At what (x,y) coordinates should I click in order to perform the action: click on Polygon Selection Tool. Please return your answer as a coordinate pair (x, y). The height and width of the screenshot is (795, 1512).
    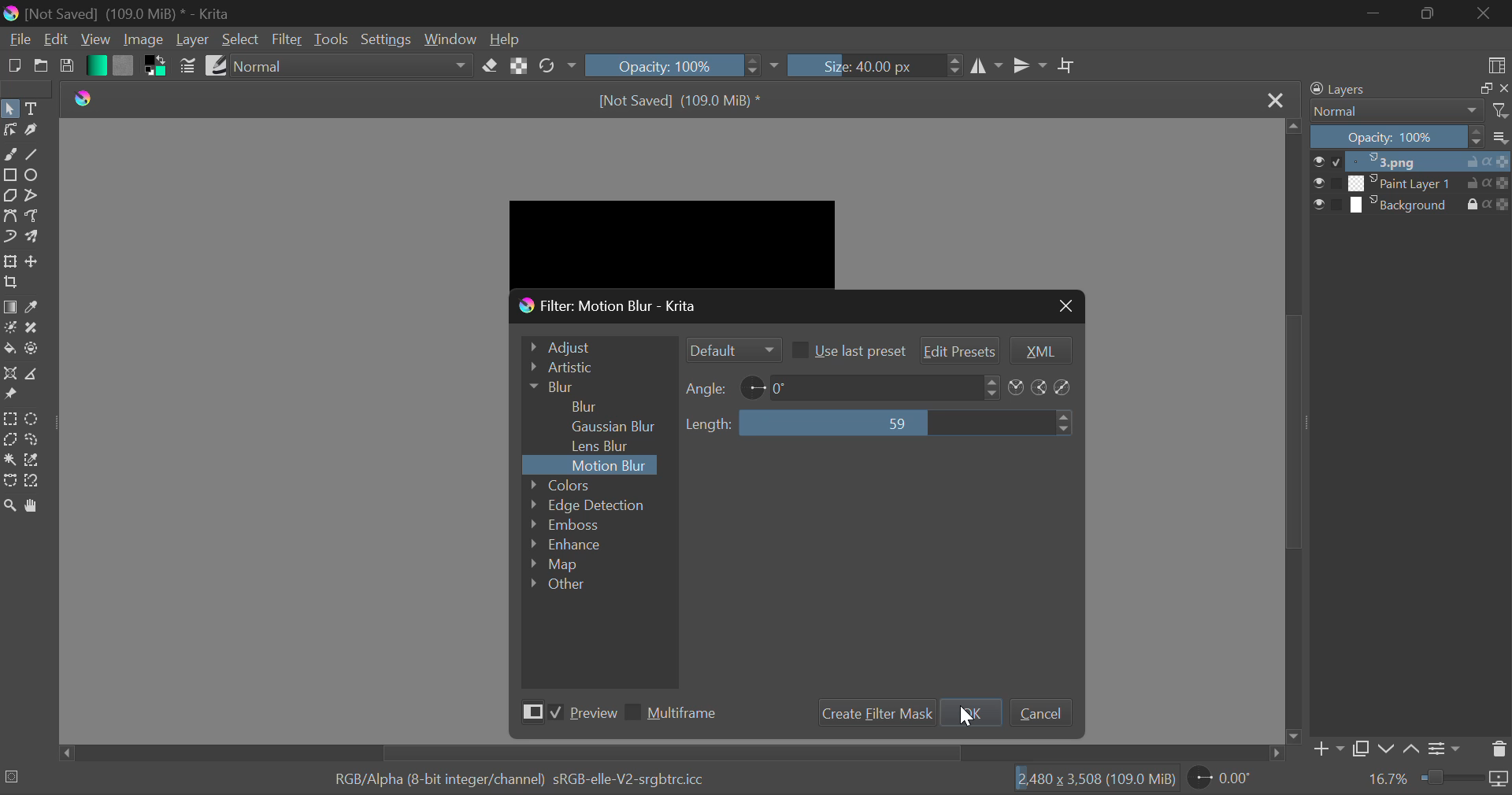
    Looking at the image, I should click on (9, 439).